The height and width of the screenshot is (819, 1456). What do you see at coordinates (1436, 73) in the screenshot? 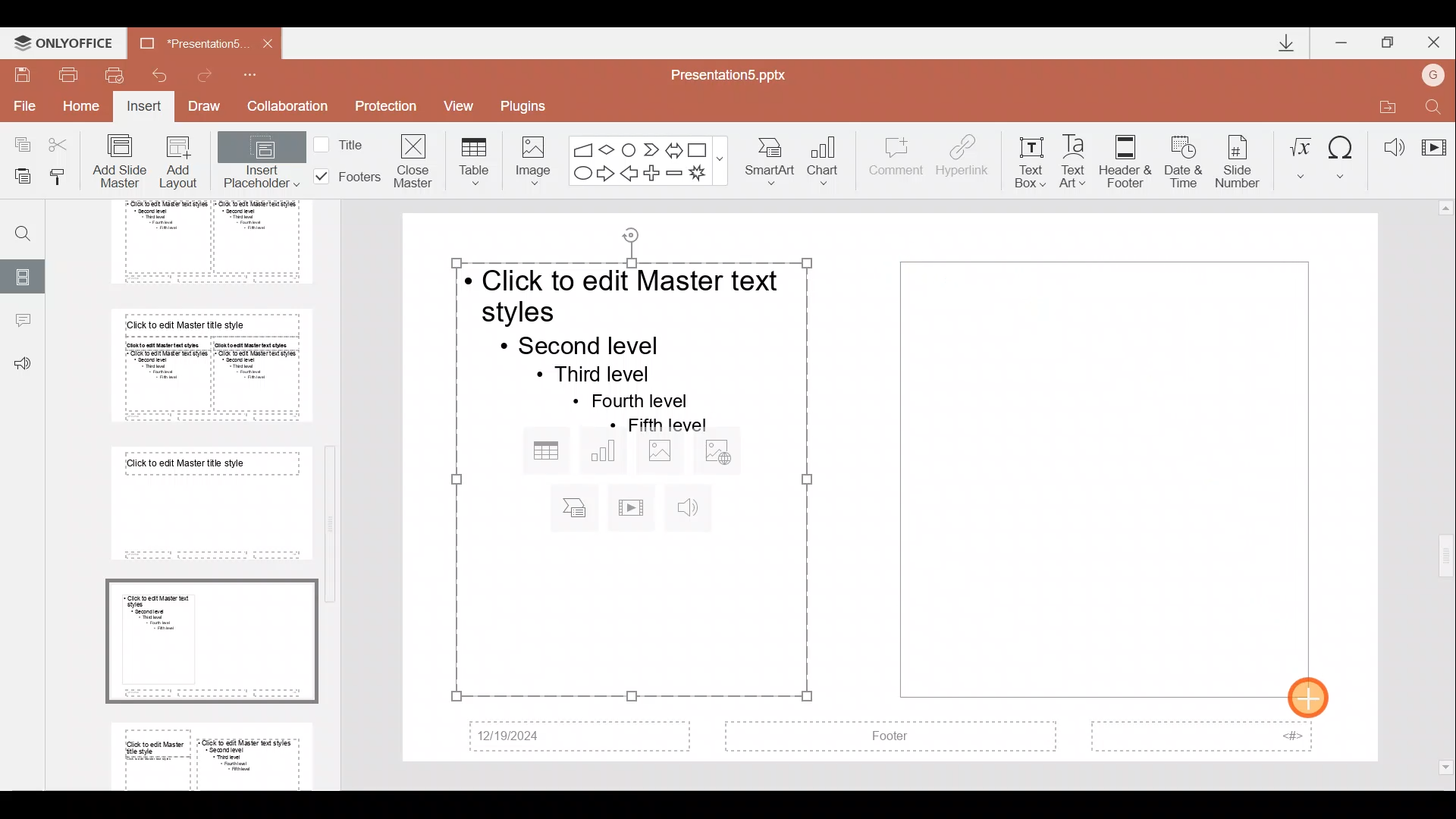
I see `Account name` at bounding box center [1436, 73].